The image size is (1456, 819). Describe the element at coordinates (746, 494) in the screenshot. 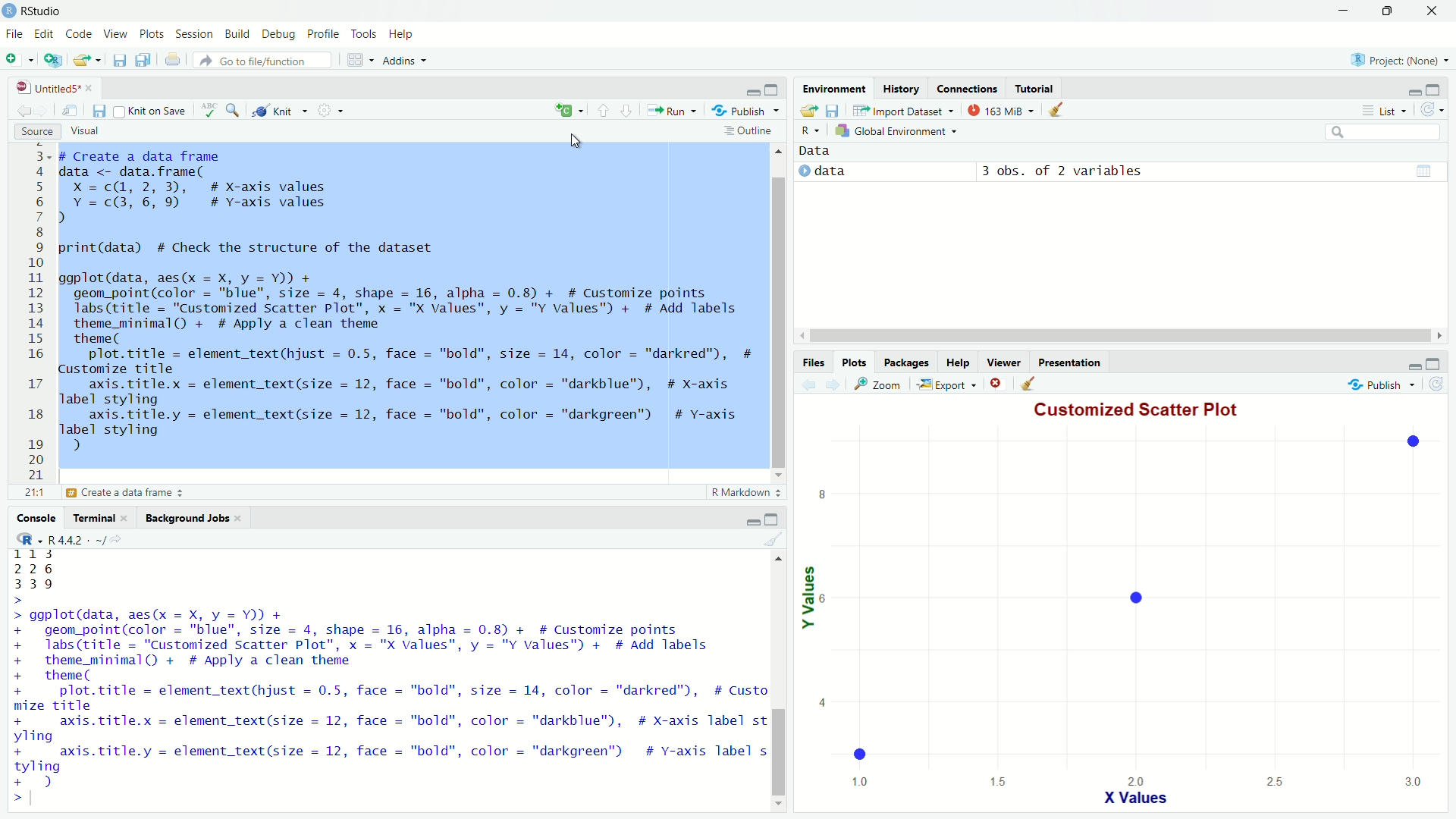

I see `R Markdown` at that location.